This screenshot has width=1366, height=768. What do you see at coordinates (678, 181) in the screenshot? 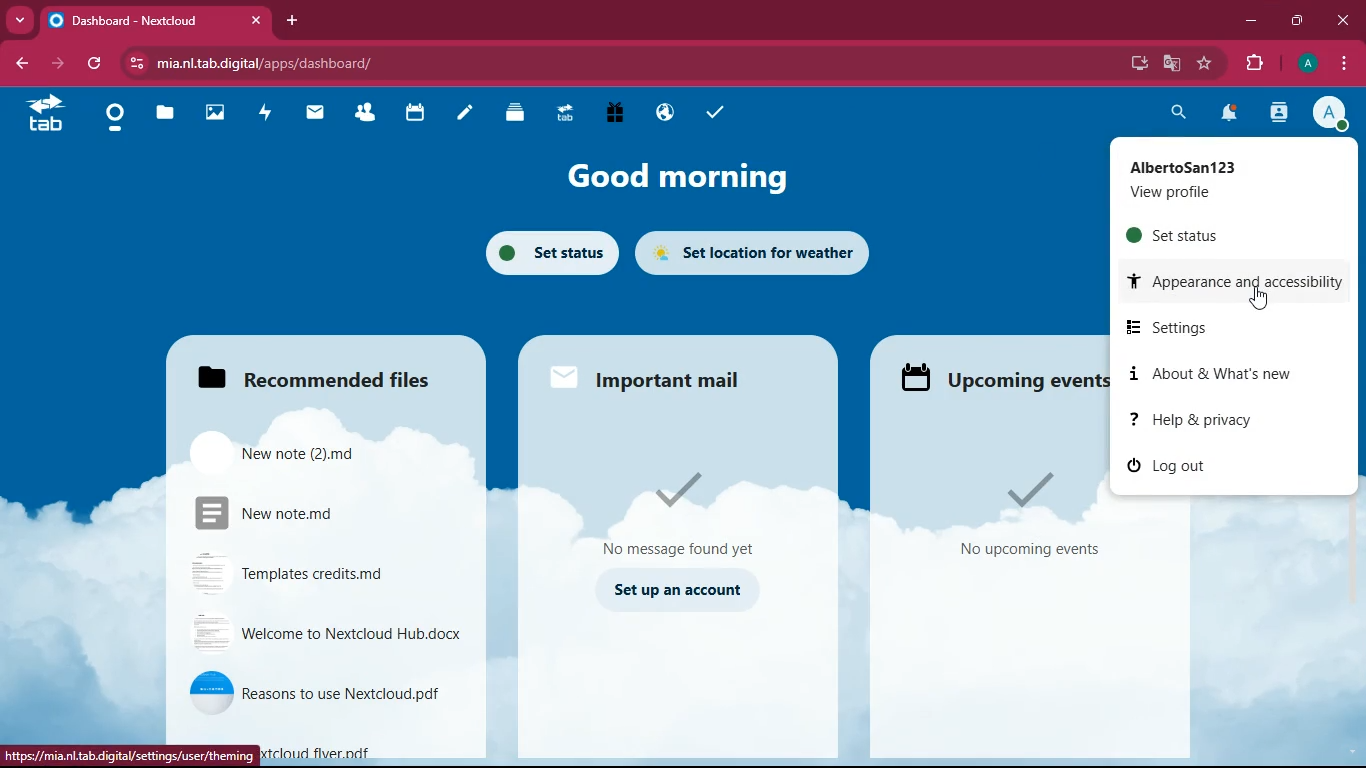
I see `good morning` at bounding box center [678, 181].